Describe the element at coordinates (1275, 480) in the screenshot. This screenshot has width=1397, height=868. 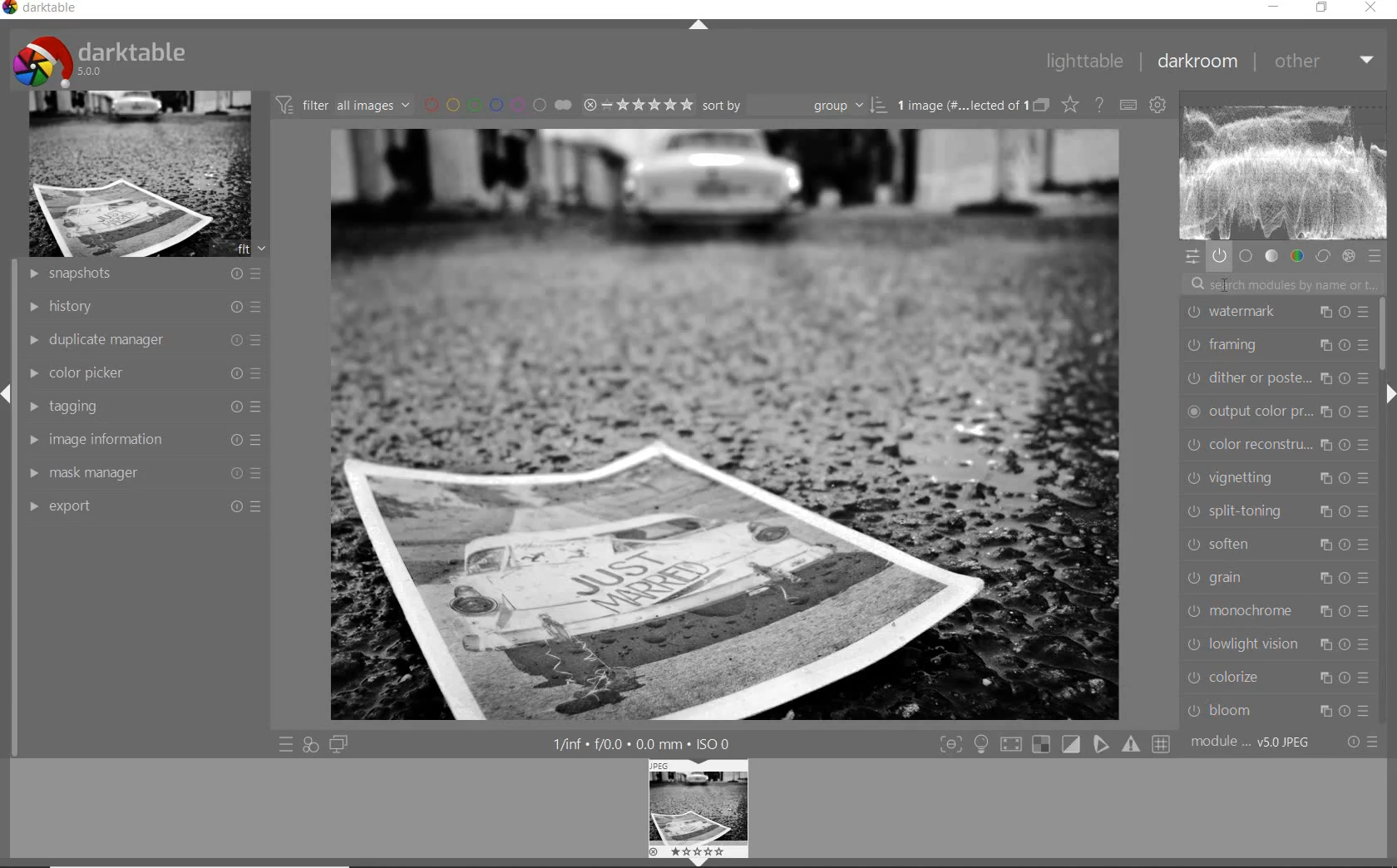
I see `vignetting` at that location.